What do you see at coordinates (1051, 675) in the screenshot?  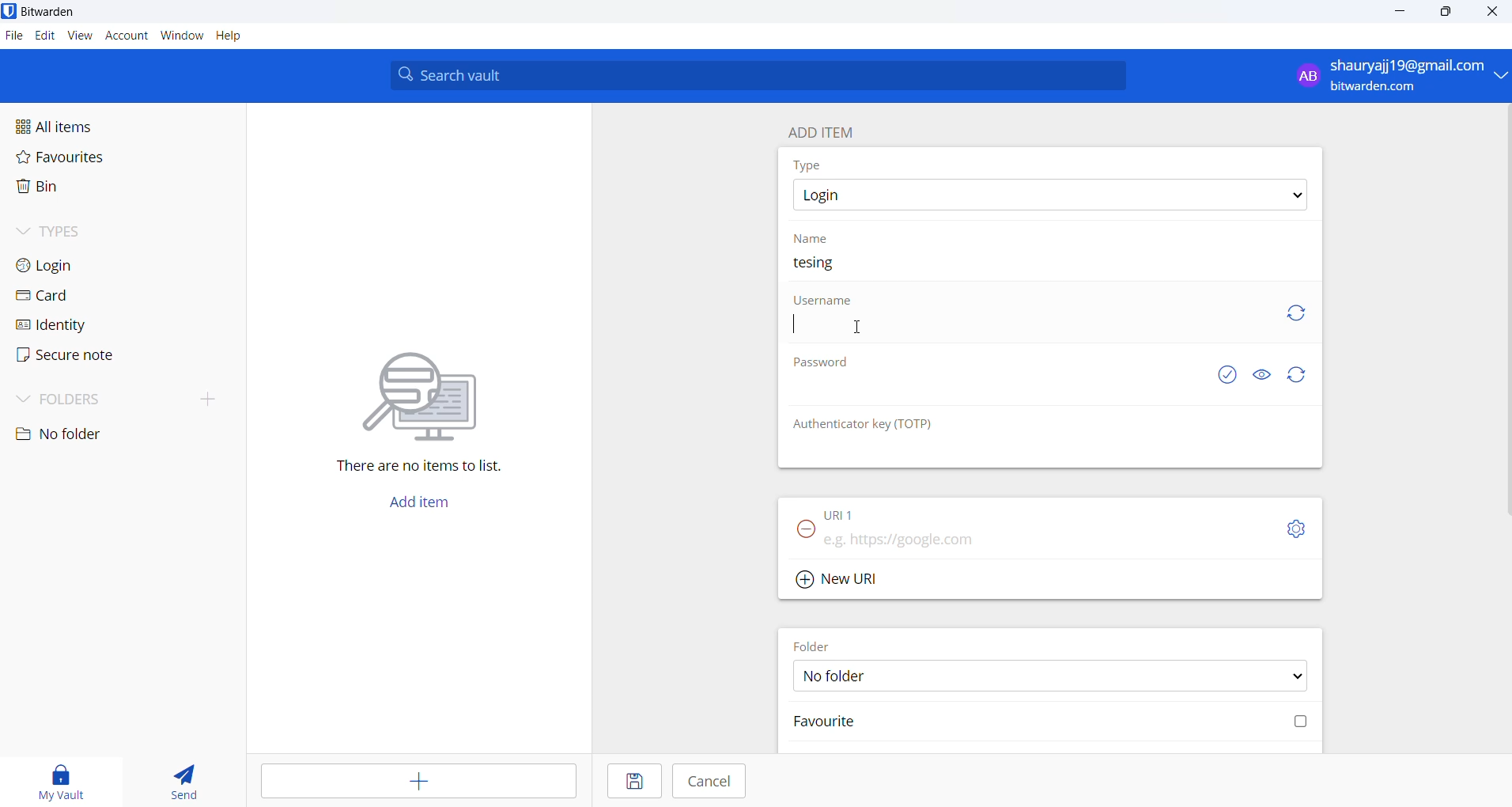 I see `Folder options` at bounding box center [1051, 675].